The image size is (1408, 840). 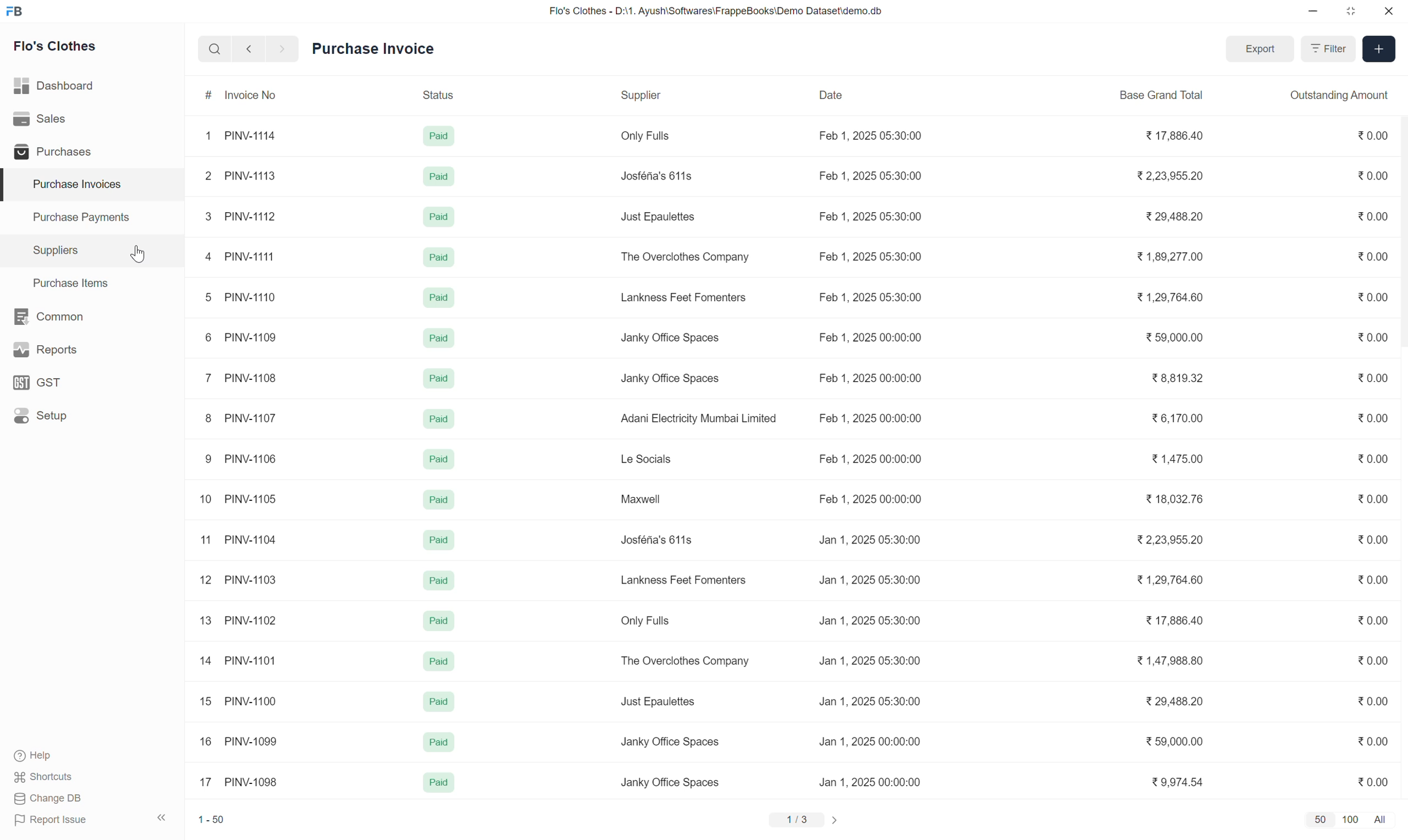 I want to click on Jan 1, 2025 05:30:00, so click(x=871, y=622).